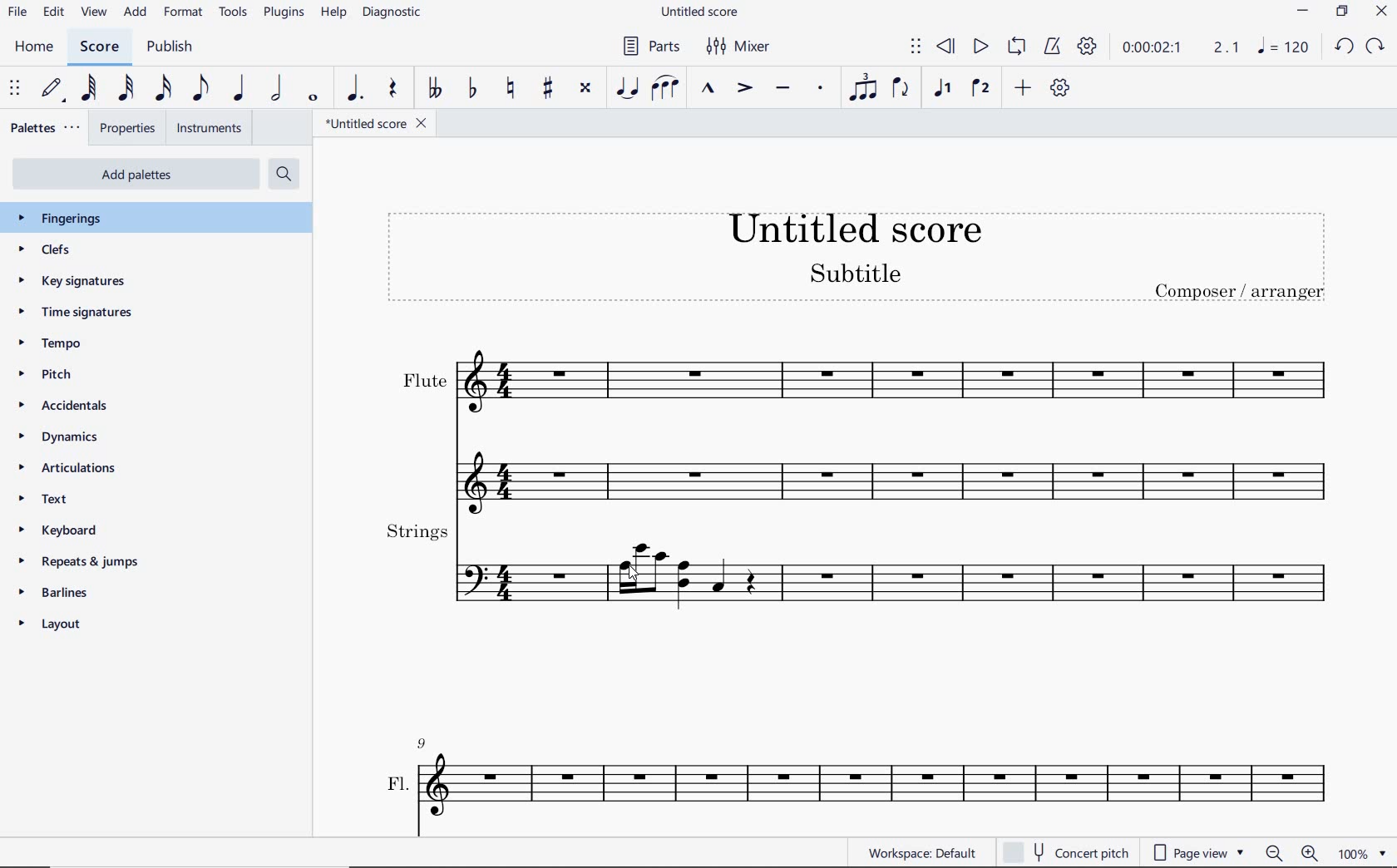  I want to click on palettes, so click(47, 129).